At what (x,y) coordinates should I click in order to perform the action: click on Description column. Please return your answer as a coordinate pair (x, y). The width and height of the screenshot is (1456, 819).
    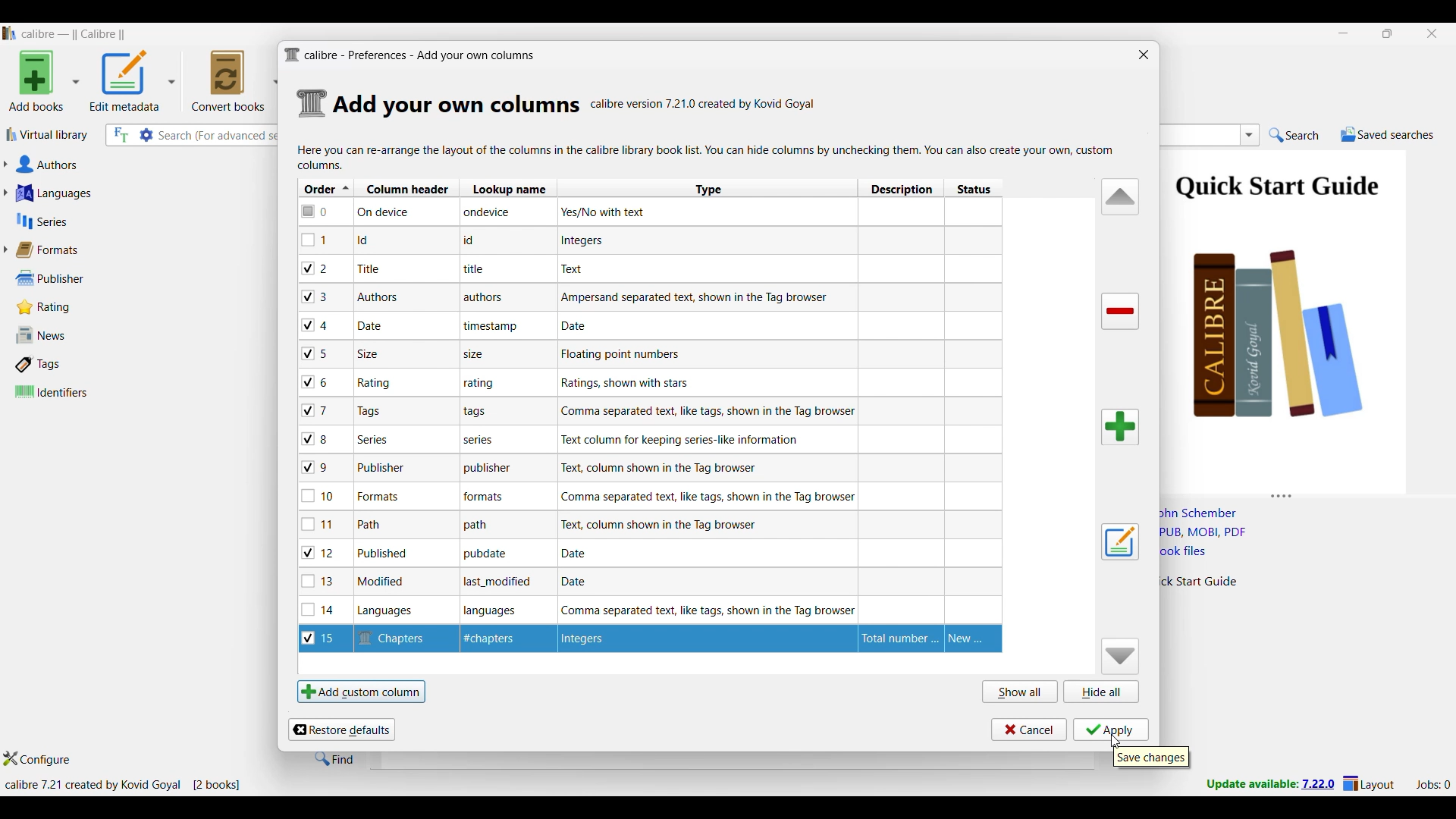
    Looking at the image, I should click on (901, 187).